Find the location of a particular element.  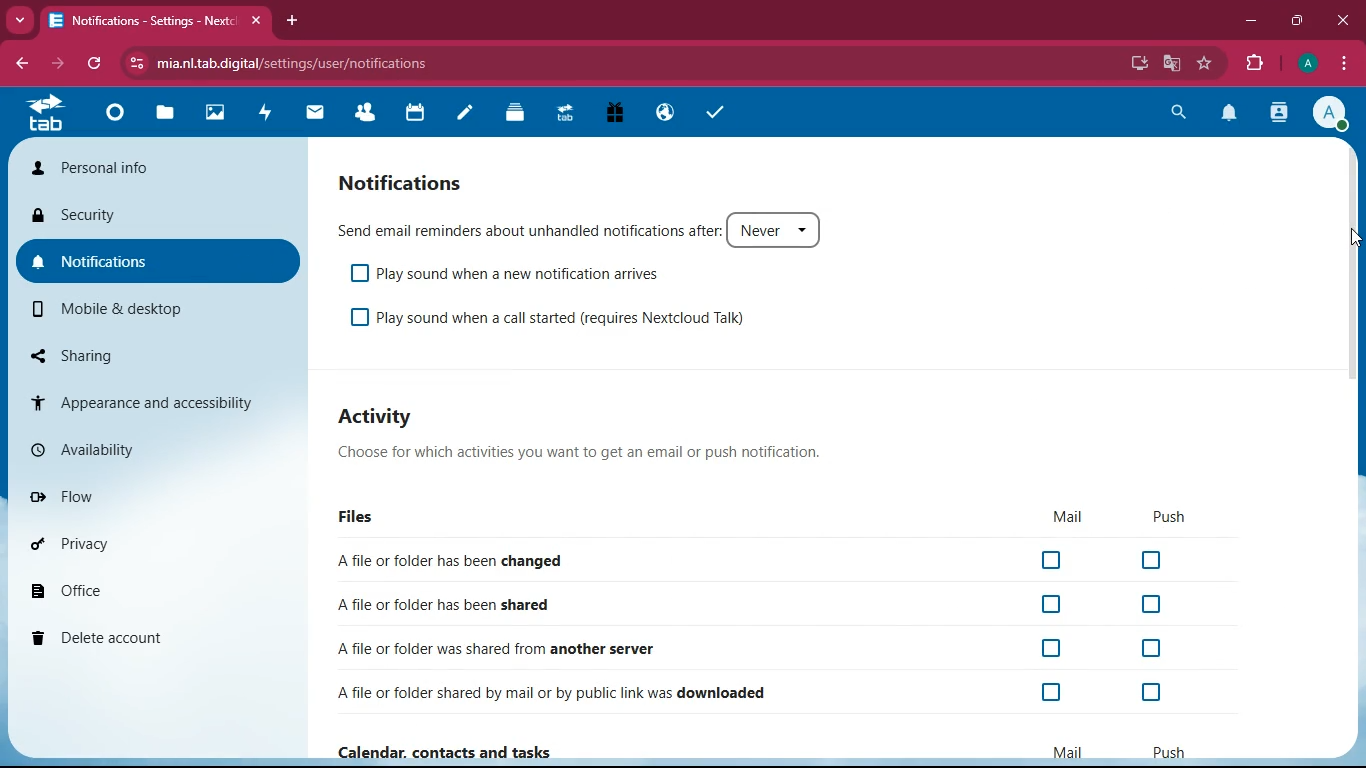

images is located at coordinates (216, 114).